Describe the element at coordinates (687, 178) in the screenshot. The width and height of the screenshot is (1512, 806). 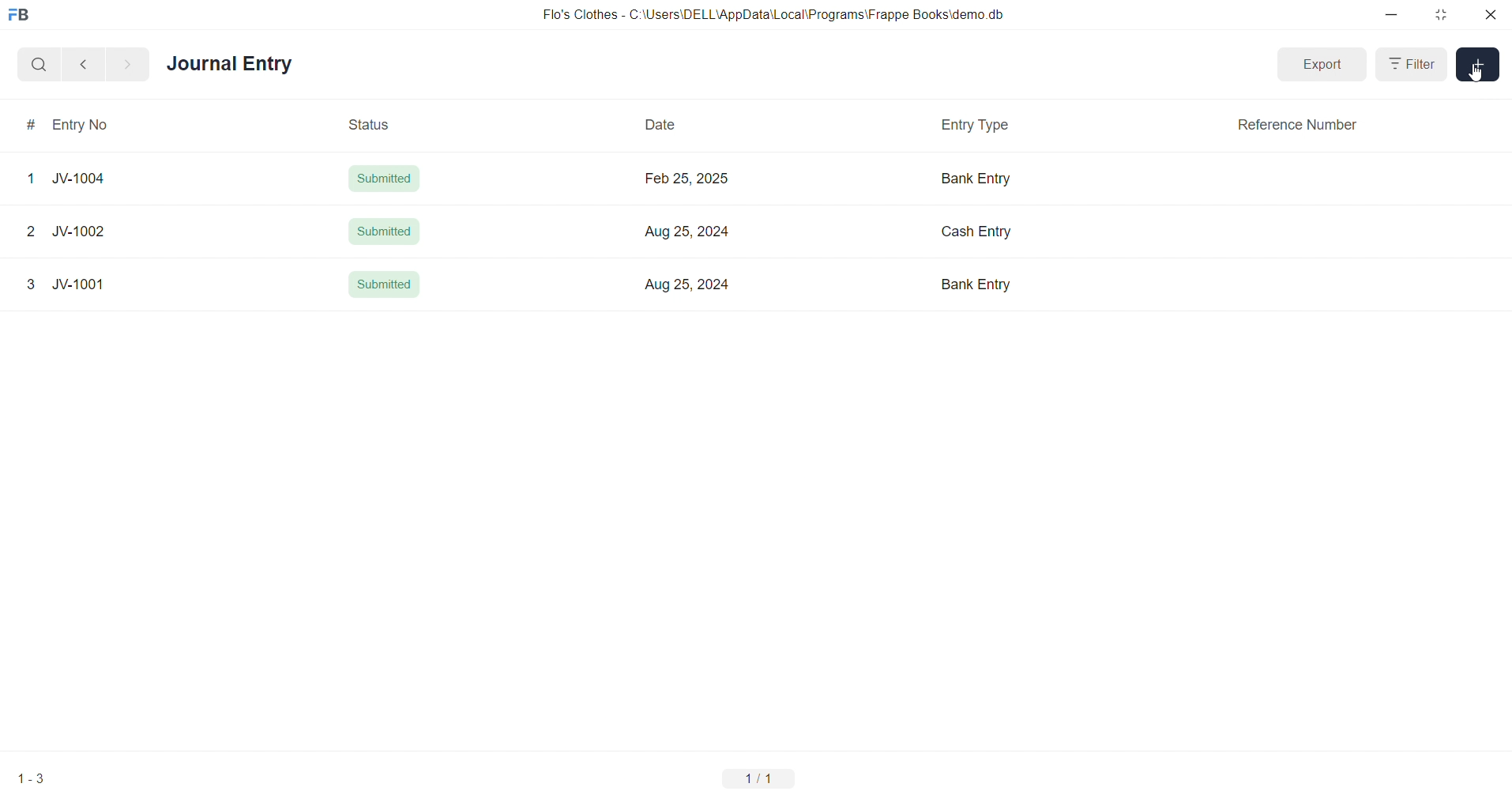
I see `Feb 25, 2025` at that location.